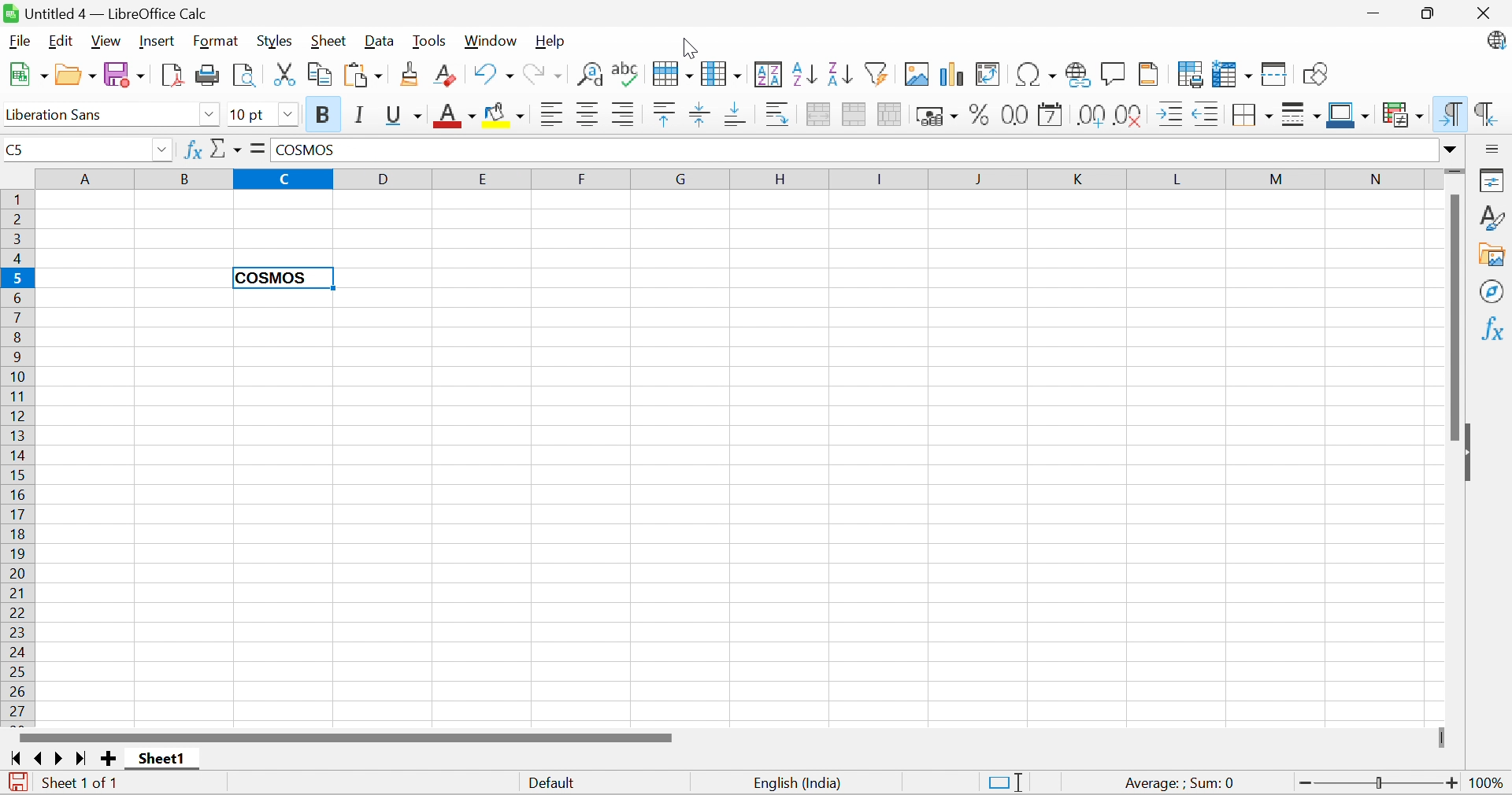 The width and height of the screenshot is (1512, 795). I want to click on Insert Image, so click(917, 74).